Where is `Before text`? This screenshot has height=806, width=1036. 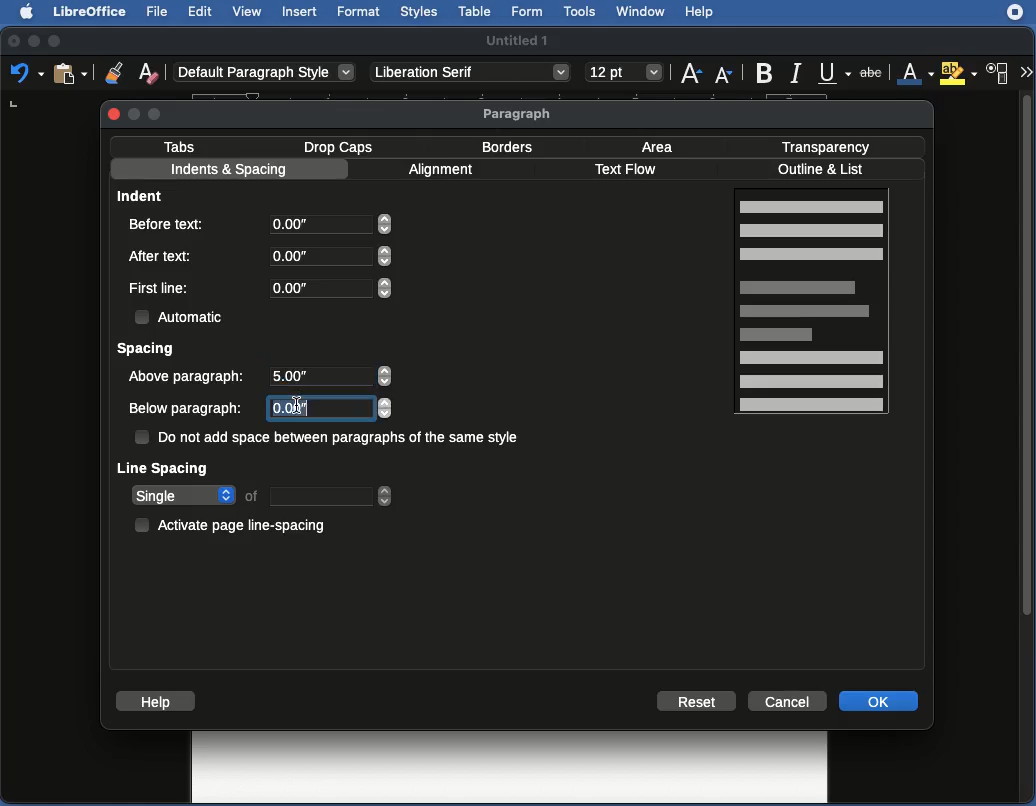 Before text is located at coordinates (173, 223).